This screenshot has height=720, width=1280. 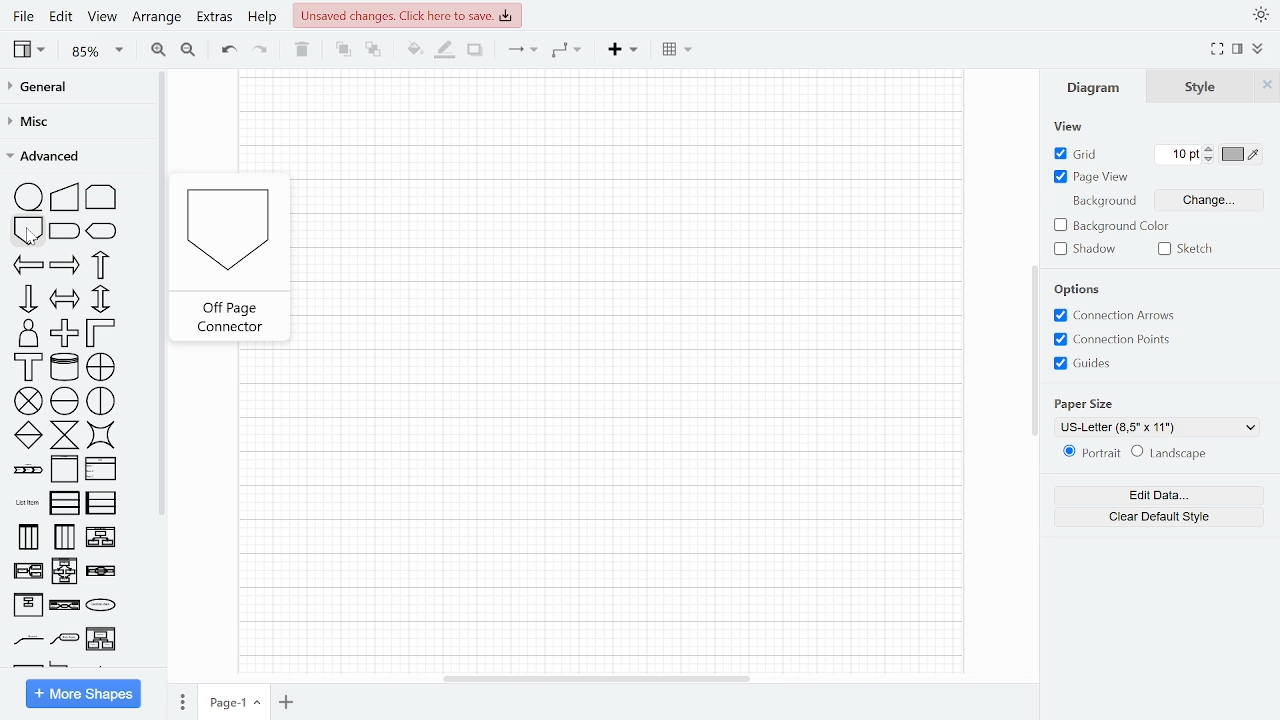 I want to click on Insert, so click(x=622, y=52).